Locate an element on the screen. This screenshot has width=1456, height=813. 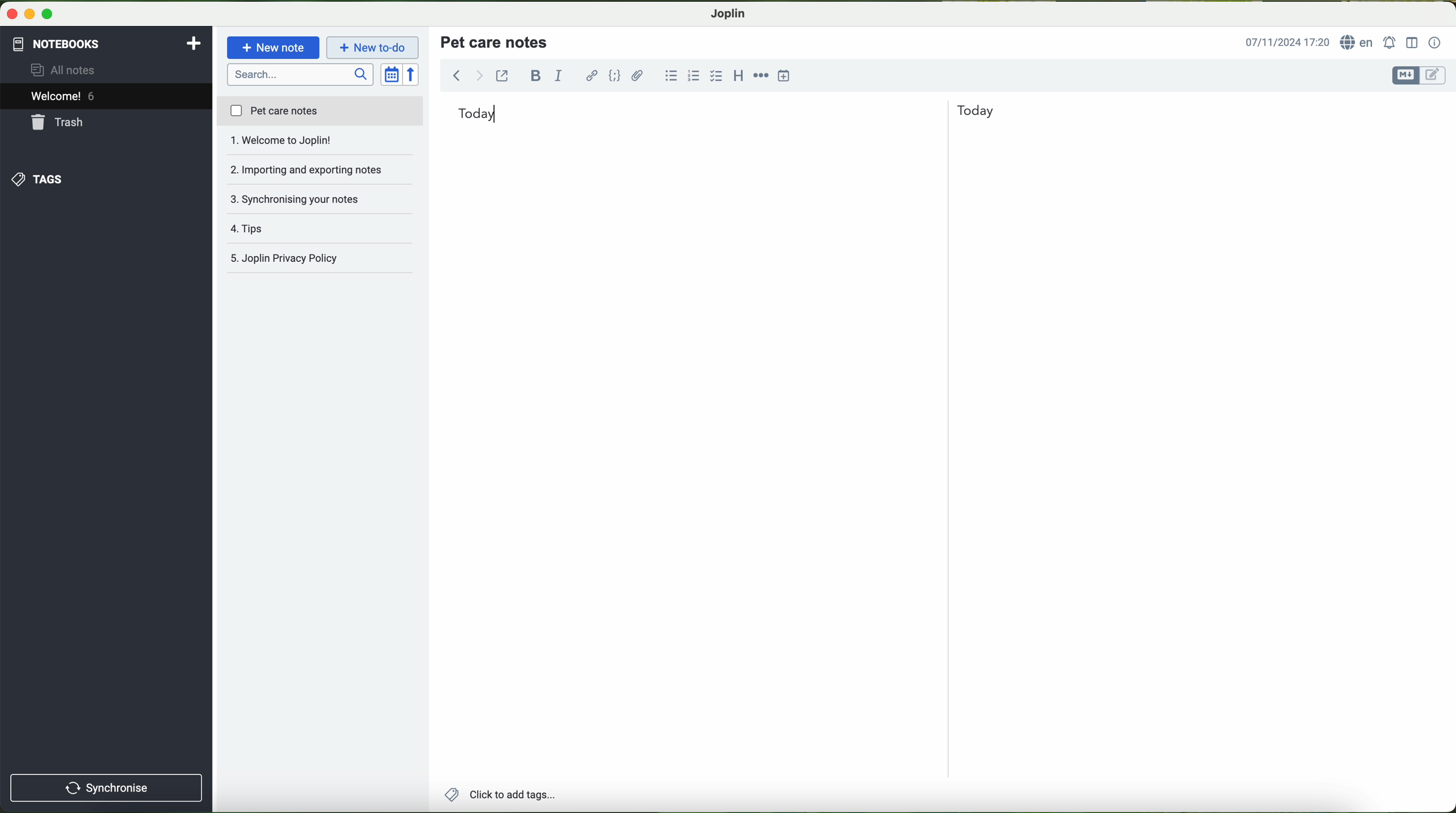
Joplin privacy policy is located at coordinates (321, 229).